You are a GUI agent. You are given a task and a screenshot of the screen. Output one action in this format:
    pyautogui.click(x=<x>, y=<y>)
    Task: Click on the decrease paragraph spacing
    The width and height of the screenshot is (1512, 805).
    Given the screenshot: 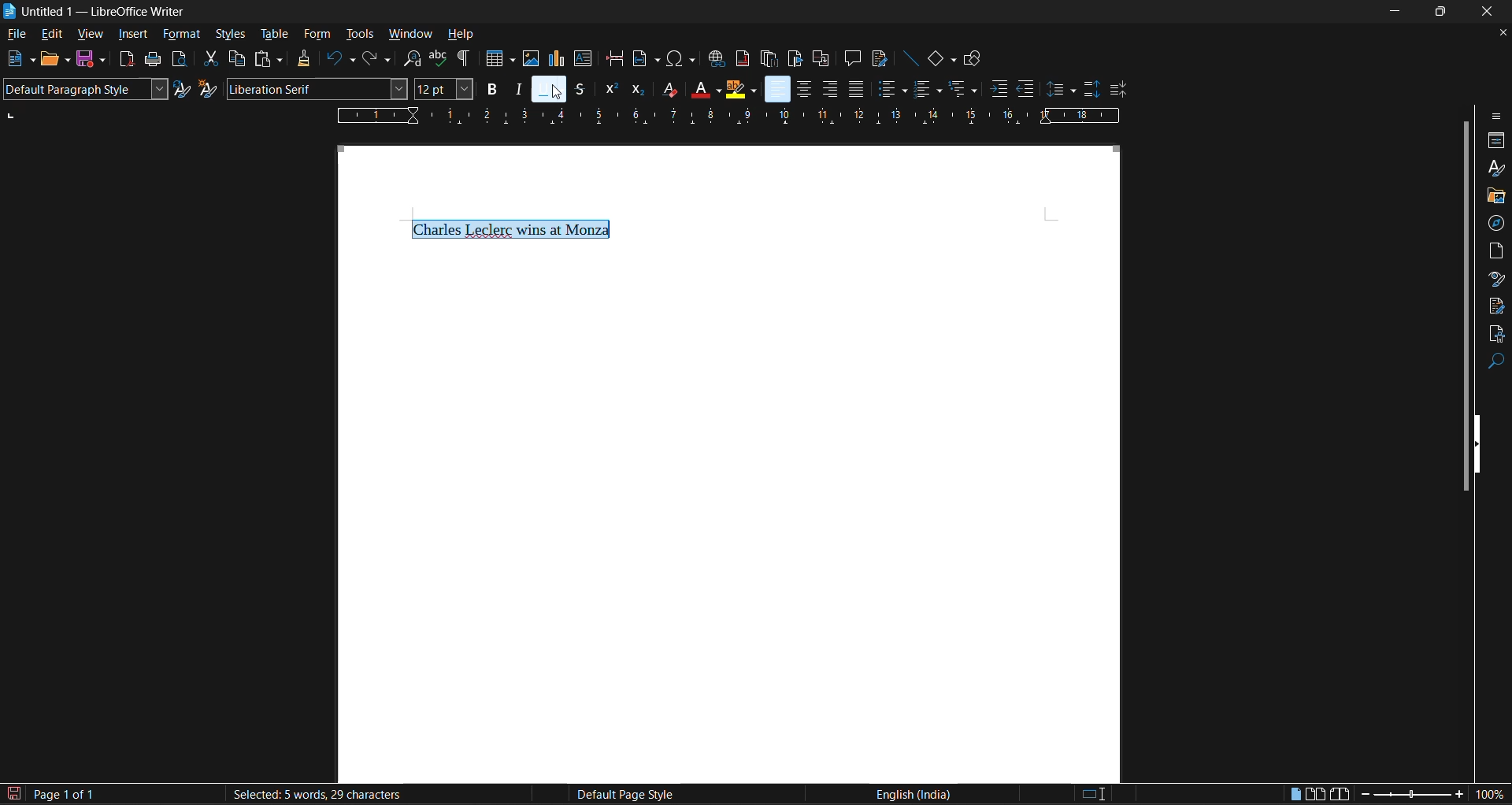 What is the action you would take?
    pyautogui.click(x=1118, y=91)
    